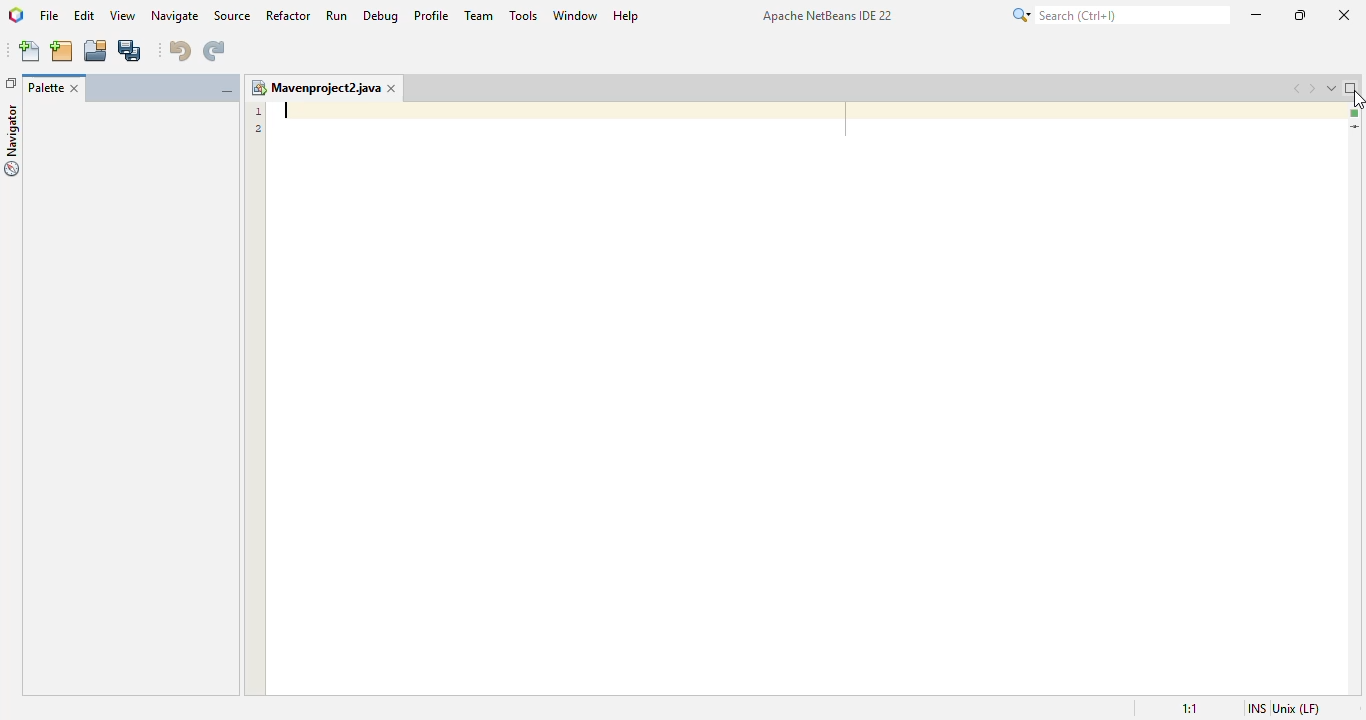 The width and height of the screenshot is (1366, 720). Describe the element at coordinates (1190, 708) in the screenshot. I see `magnification ratio` at that location.